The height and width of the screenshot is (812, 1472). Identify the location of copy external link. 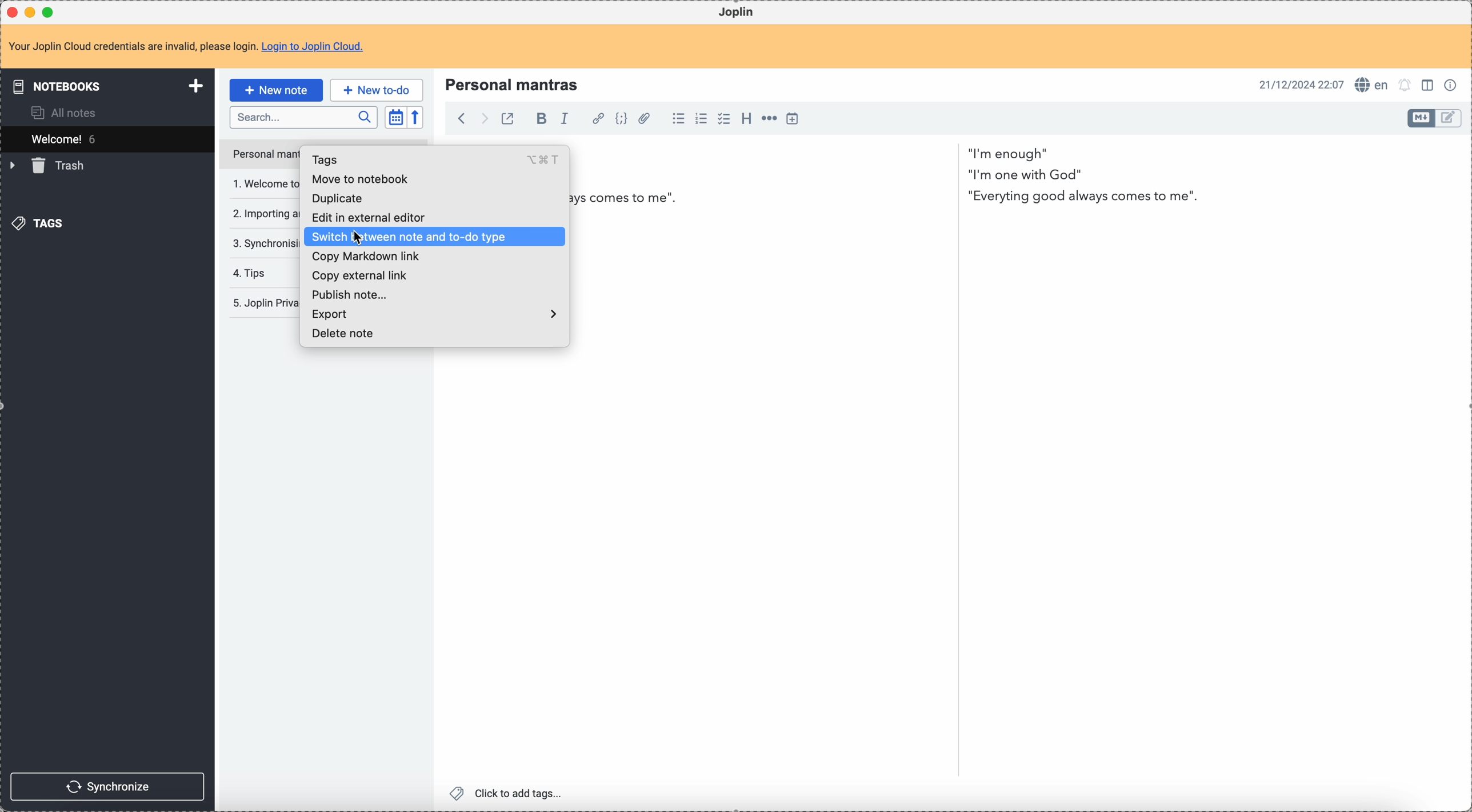
(361, 276).